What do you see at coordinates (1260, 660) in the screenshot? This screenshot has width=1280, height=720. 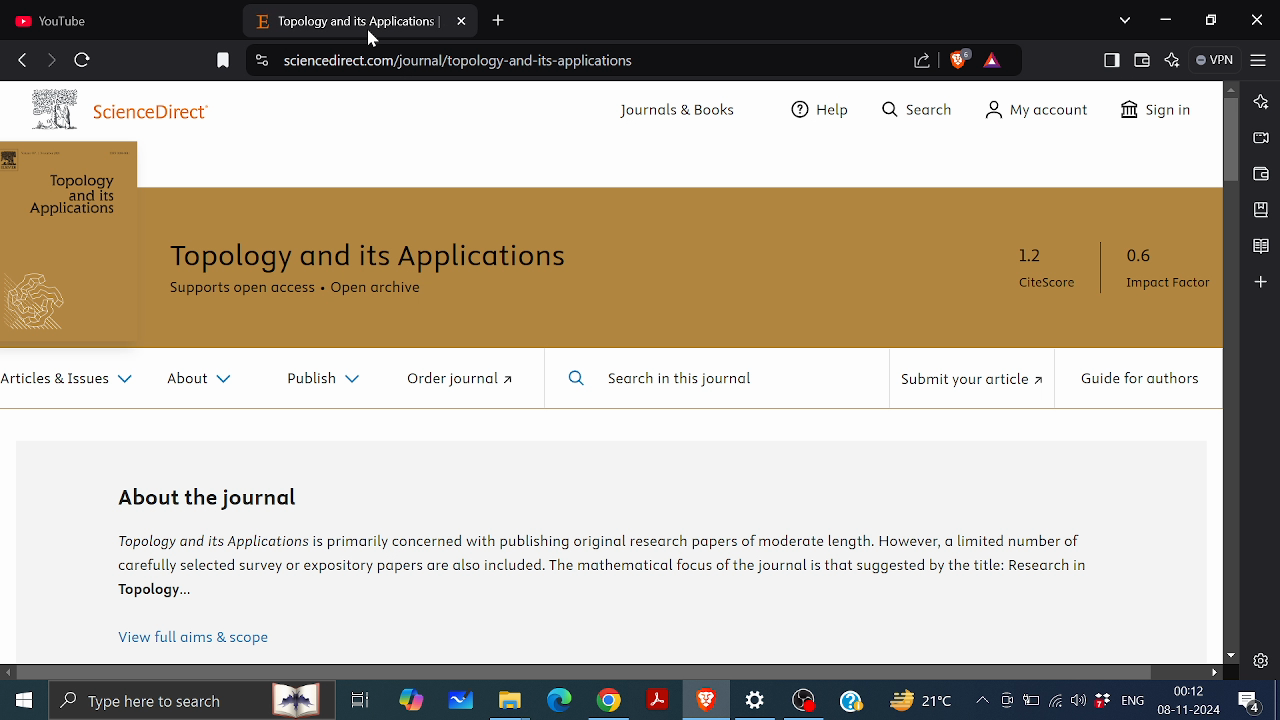 I see `Settings` at bounding box center [1260, 660].